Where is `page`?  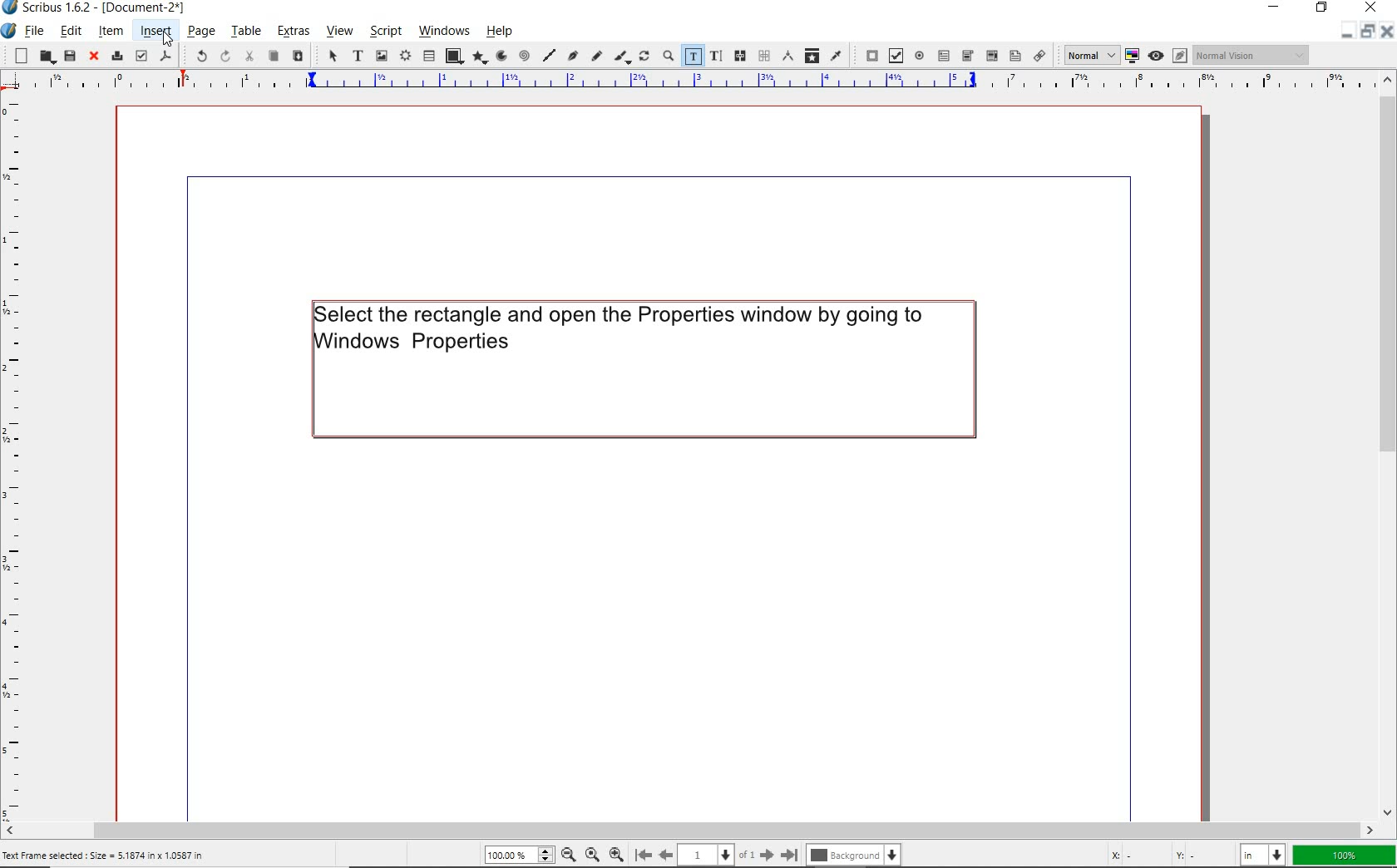
page is located at coordinates (200, 31).